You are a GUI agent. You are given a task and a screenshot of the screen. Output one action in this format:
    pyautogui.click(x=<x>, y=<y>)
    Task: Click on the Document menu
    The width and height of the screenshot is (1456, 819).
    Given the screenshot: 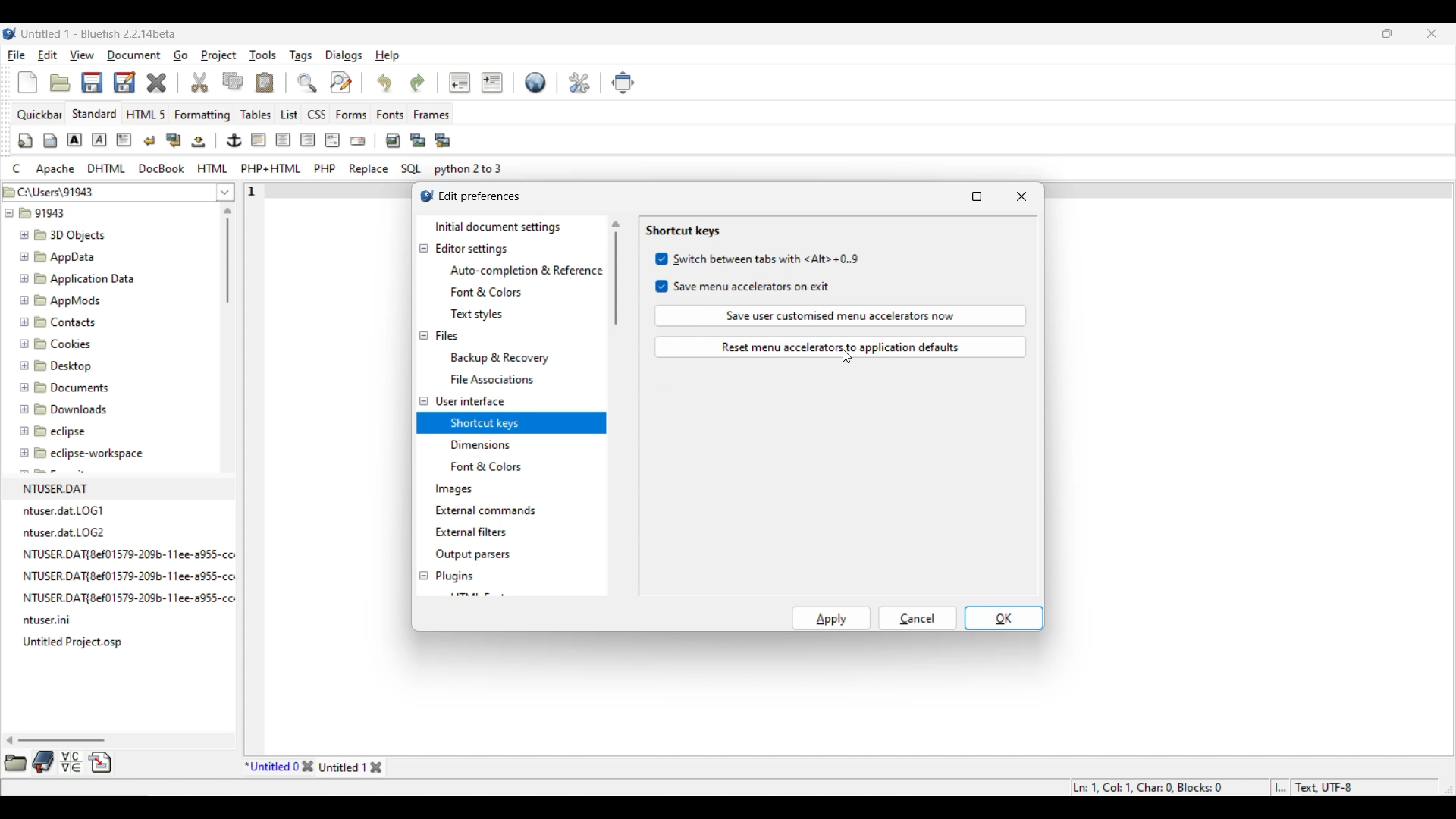 What is the action you would take?
    pyautogui.click(x=134, y=55)
    